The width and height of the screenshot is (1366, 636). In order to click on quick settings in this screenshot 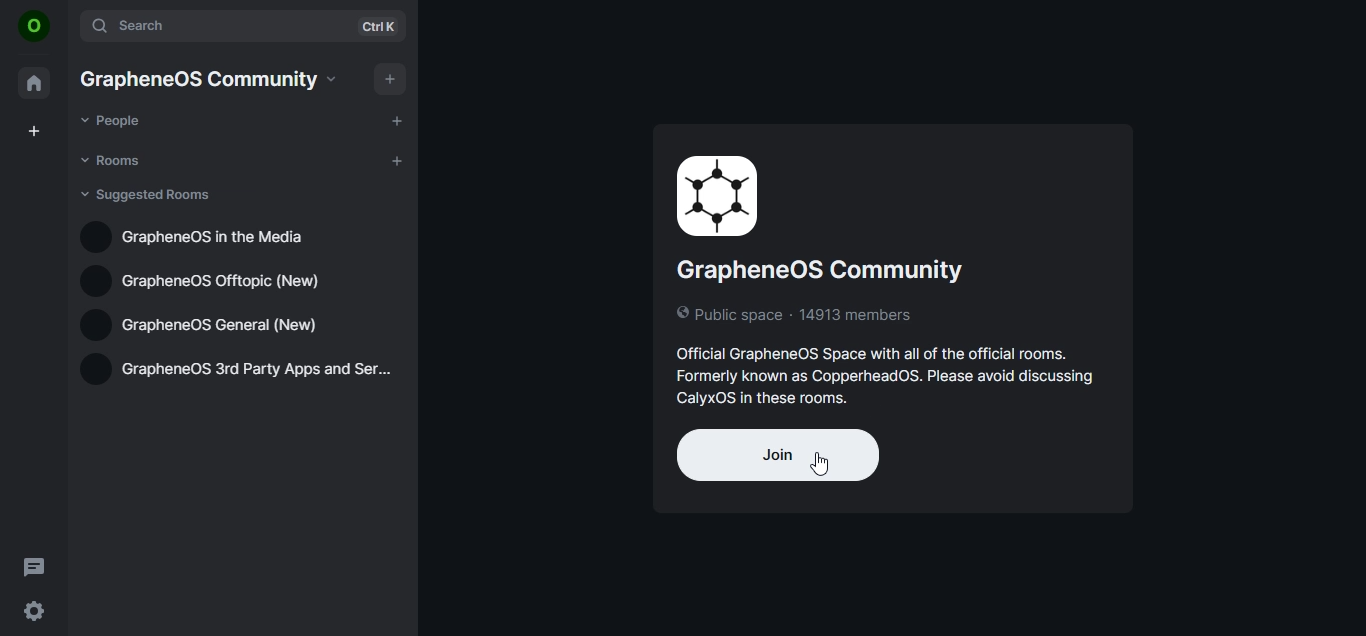, I will do `click(34, 611)`.